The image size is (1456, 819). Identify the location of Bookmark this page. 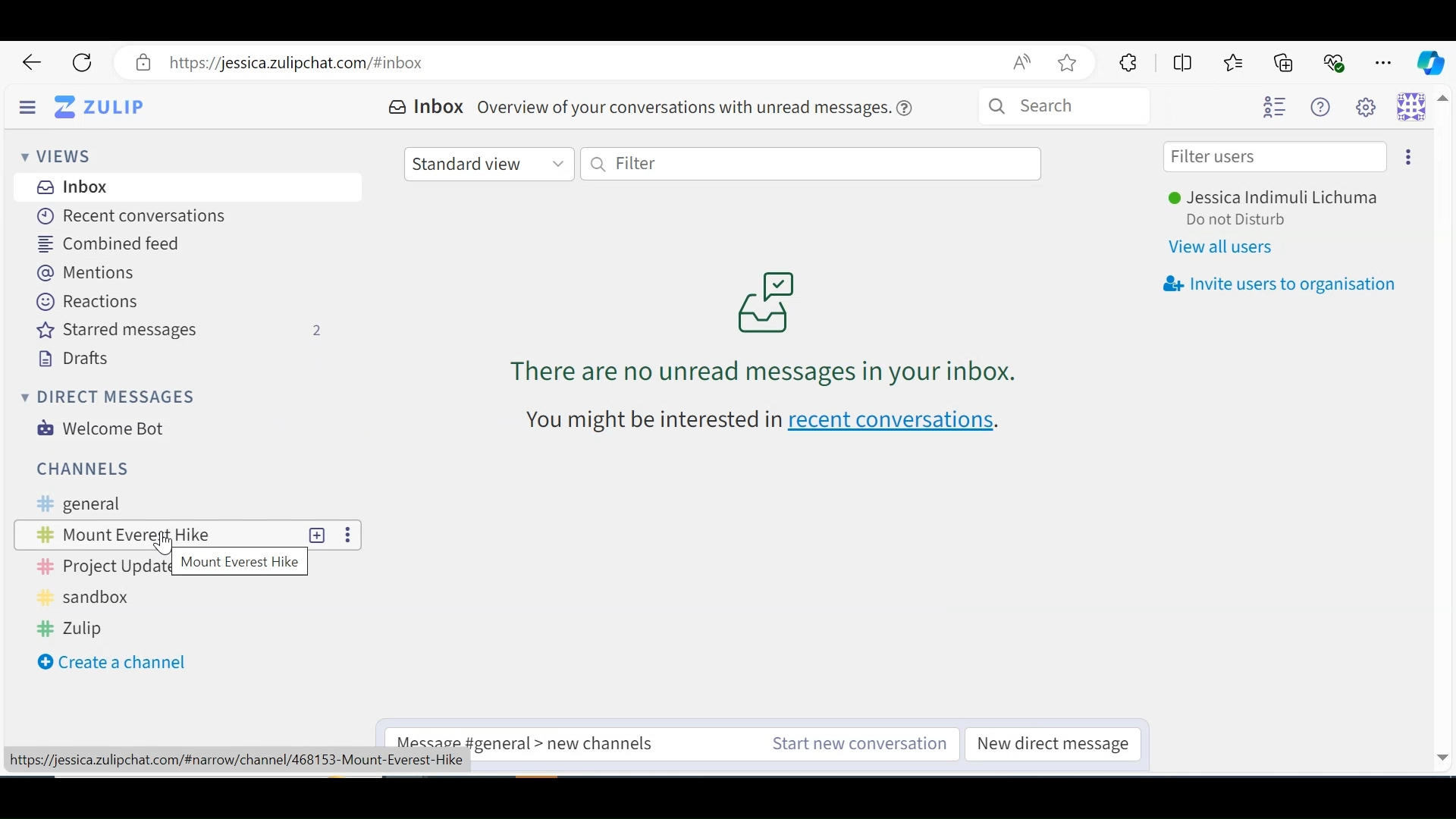
(1072, 64).